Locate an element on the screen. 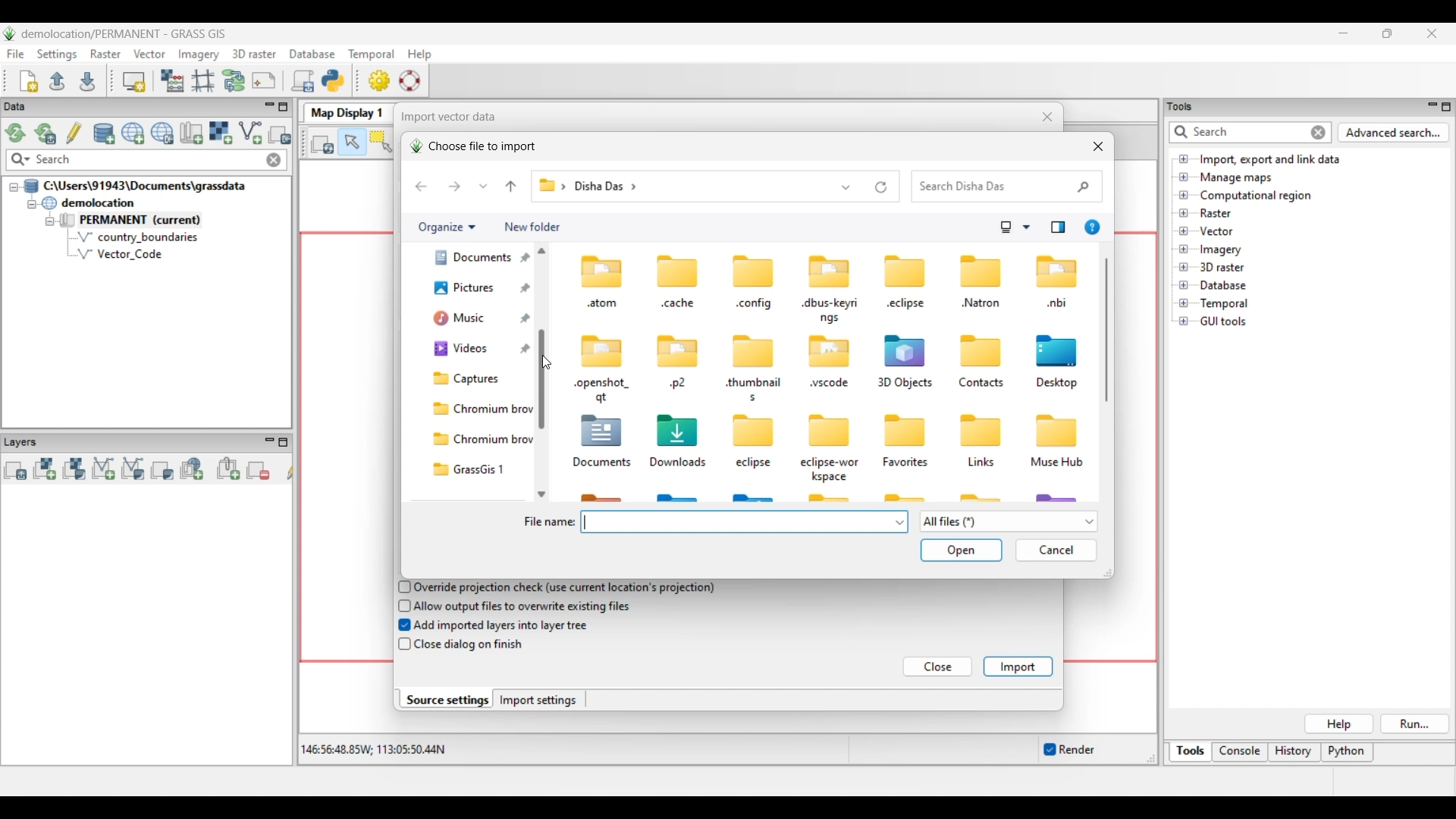 The height and width of the screenshot is (819, 1456). Links is located at coordinates (981, 465).